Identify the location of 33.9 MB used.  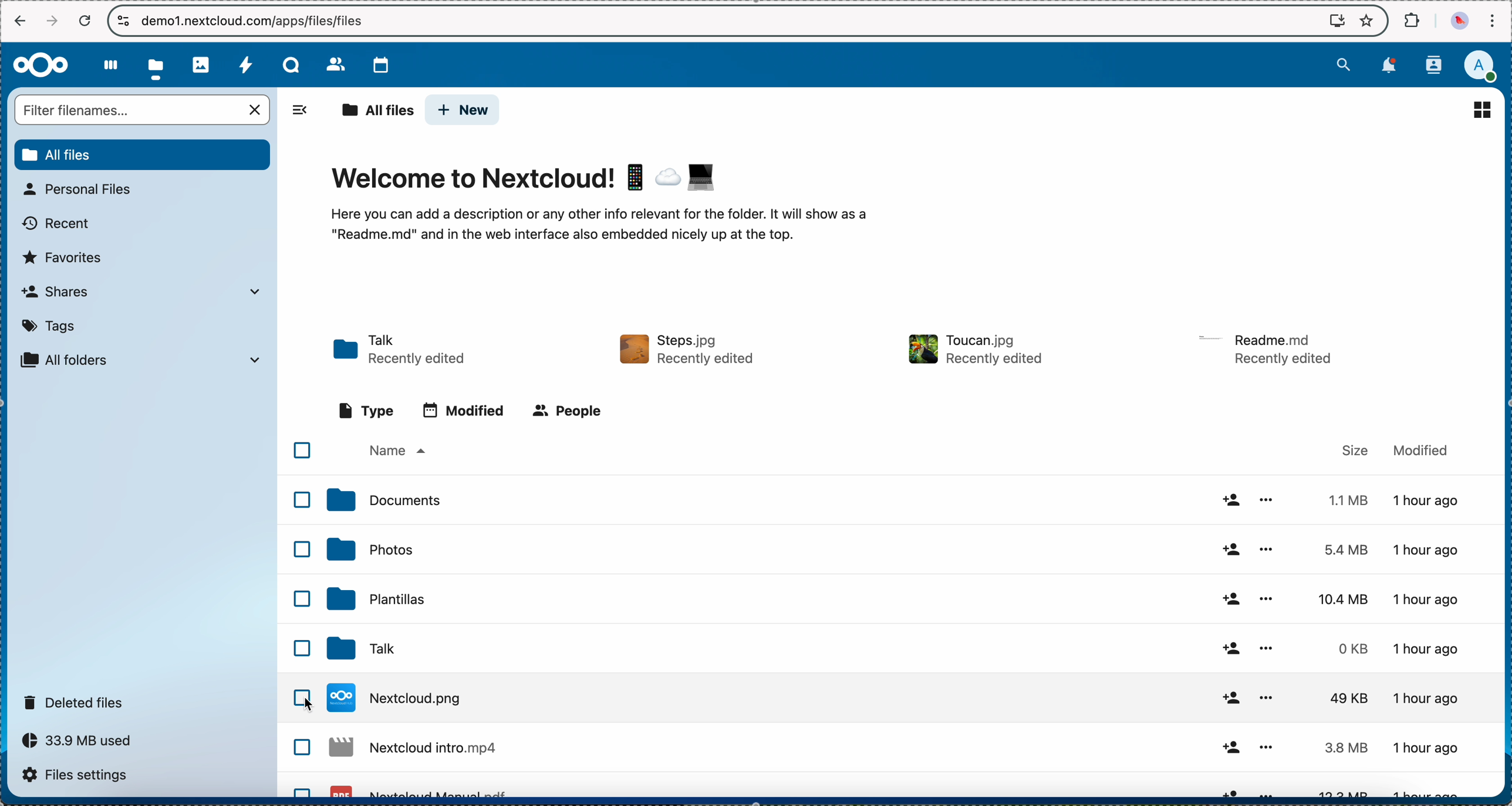
(81, 740).